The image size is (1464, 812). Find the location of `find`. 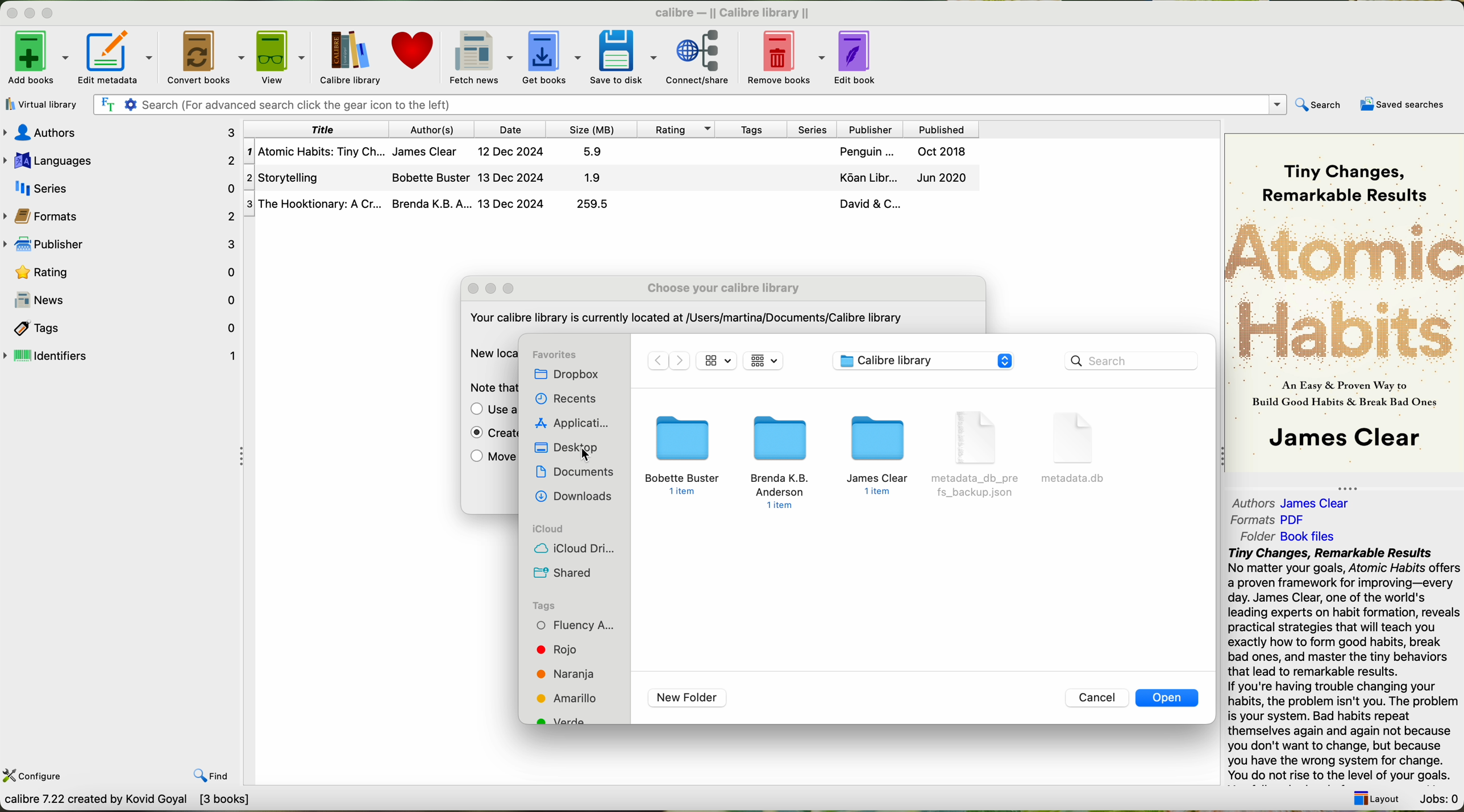

find is located at coordinates (202, 767).